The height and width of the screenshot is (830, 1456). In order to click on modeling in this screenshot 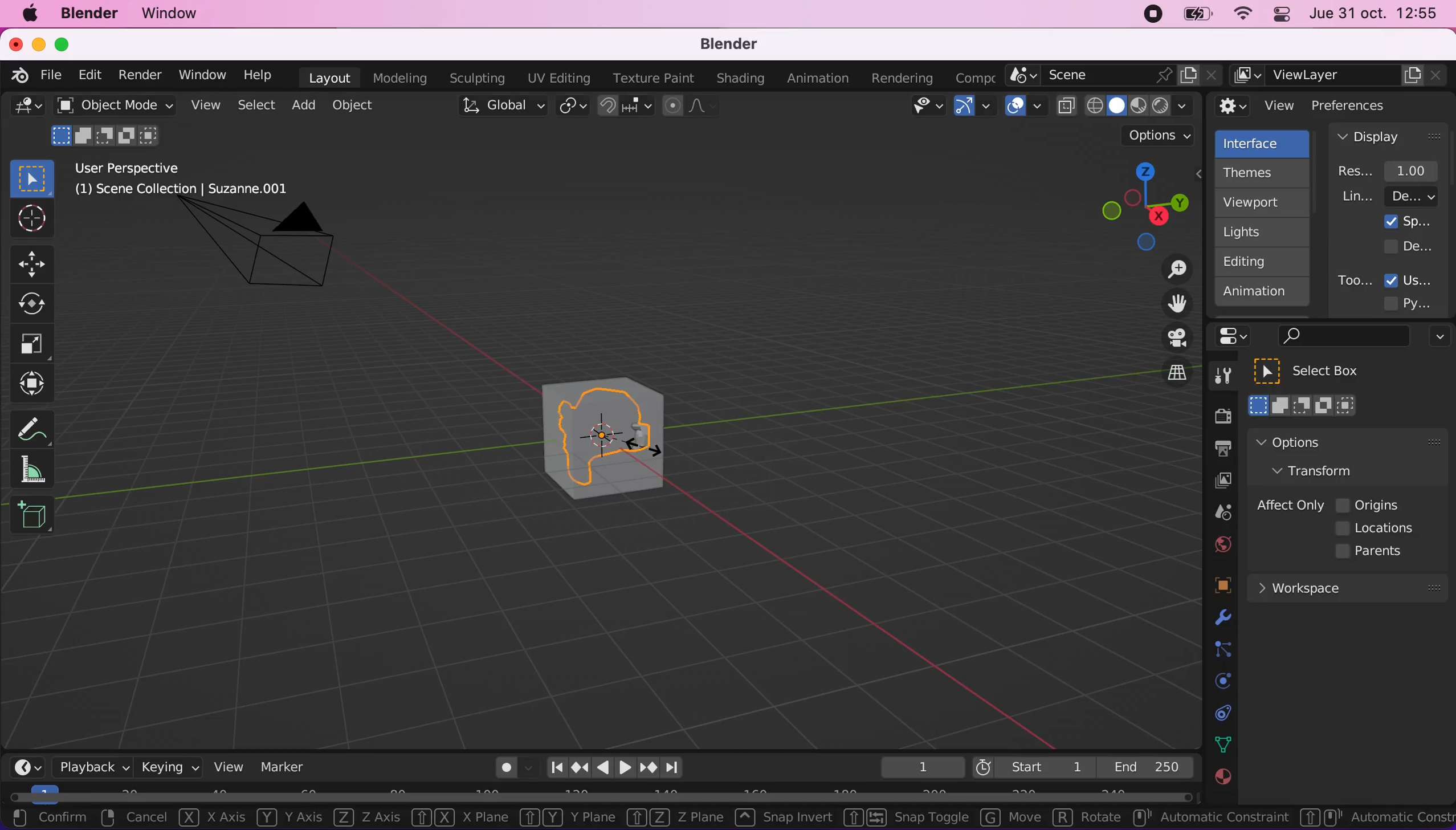, I will do `click(398, 79)`.